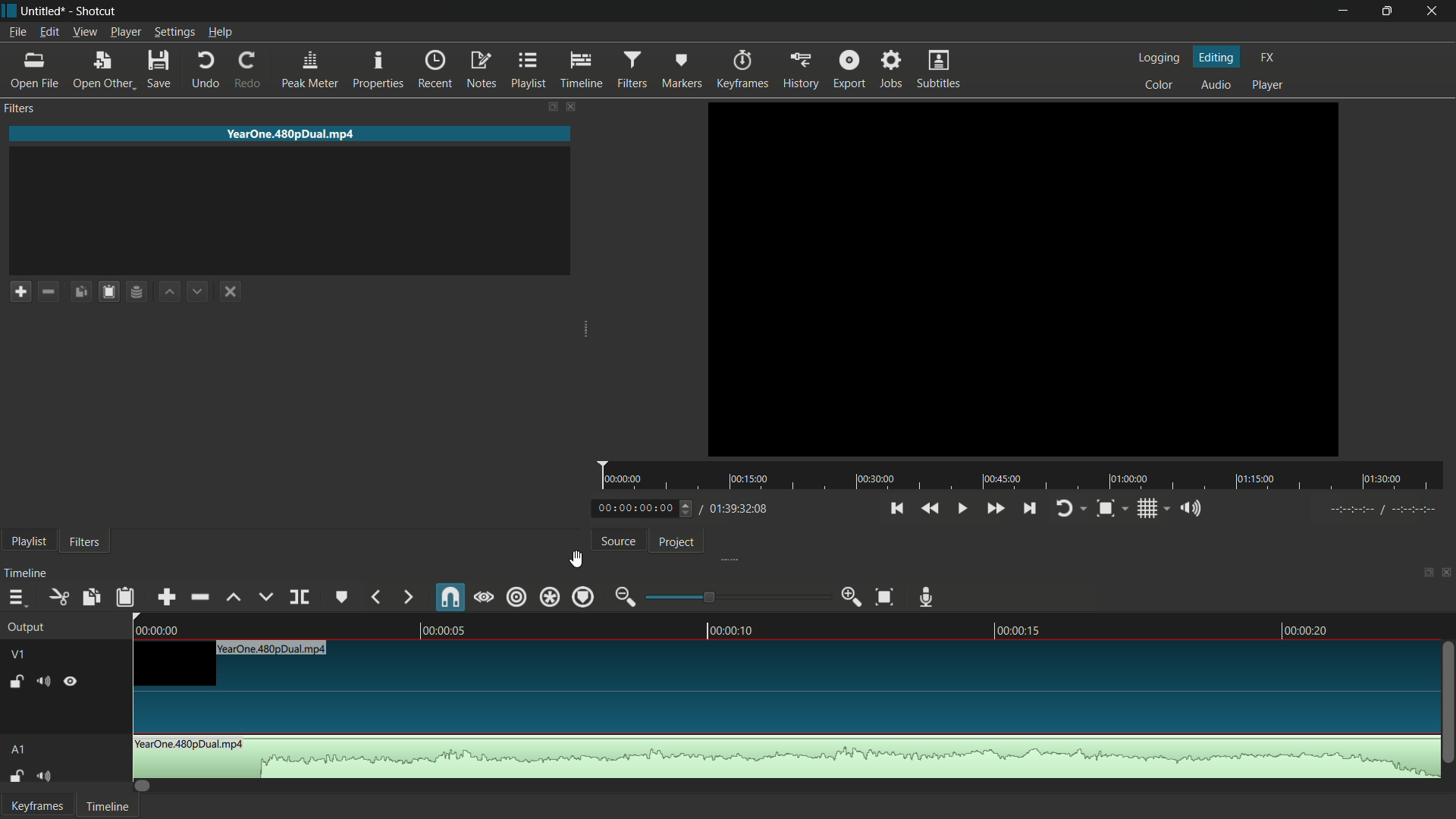 The image size is (1456, 819). Describe the element at coordinates (927, 595) in the screenshot. I see `record audio` at that location.